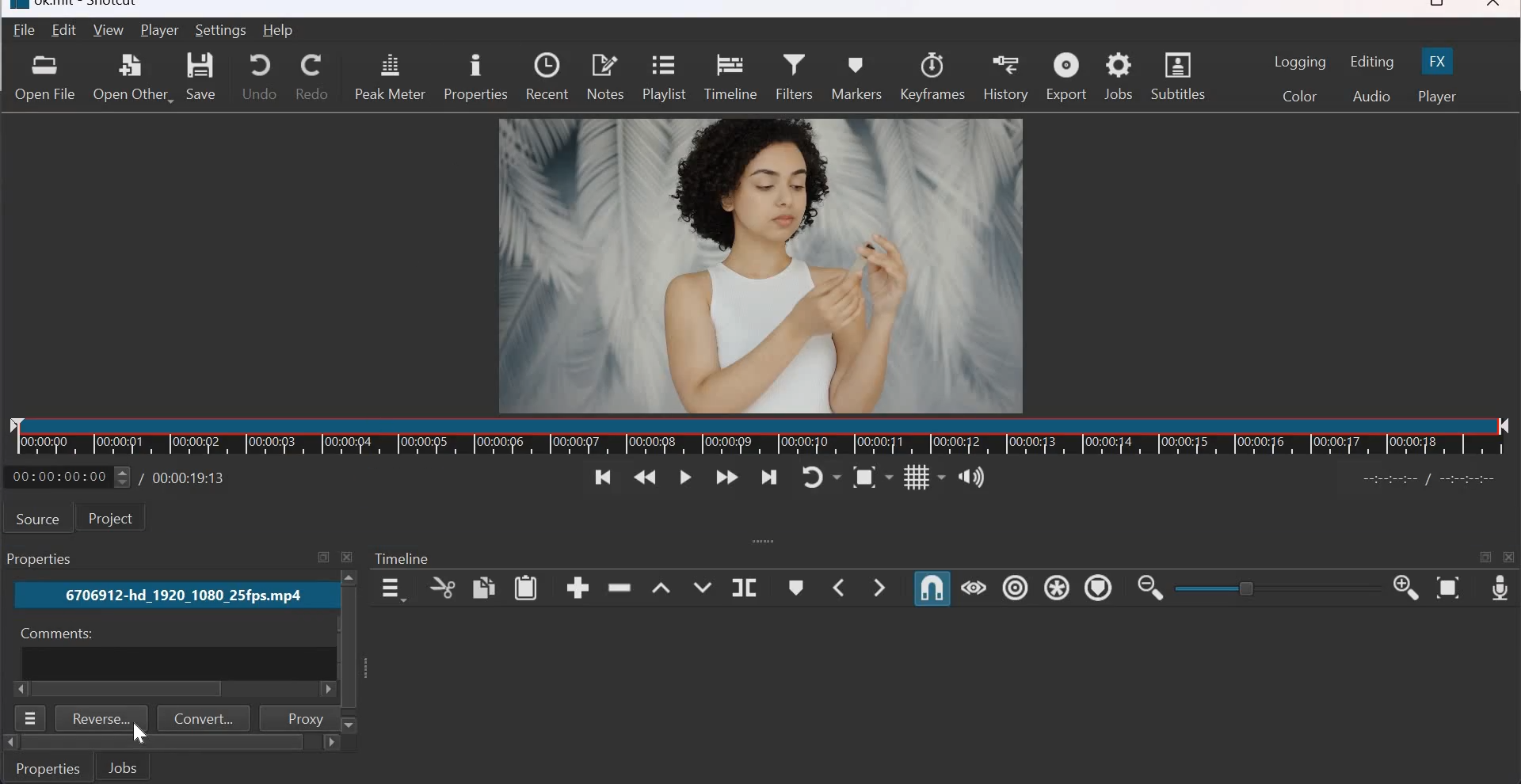 Image resolution: width=1521 pixels, height=784 pixels. What do you see at coordinates (191, 478) in the screenshot?
I see `Total duration` at bounding box center [191, 478].